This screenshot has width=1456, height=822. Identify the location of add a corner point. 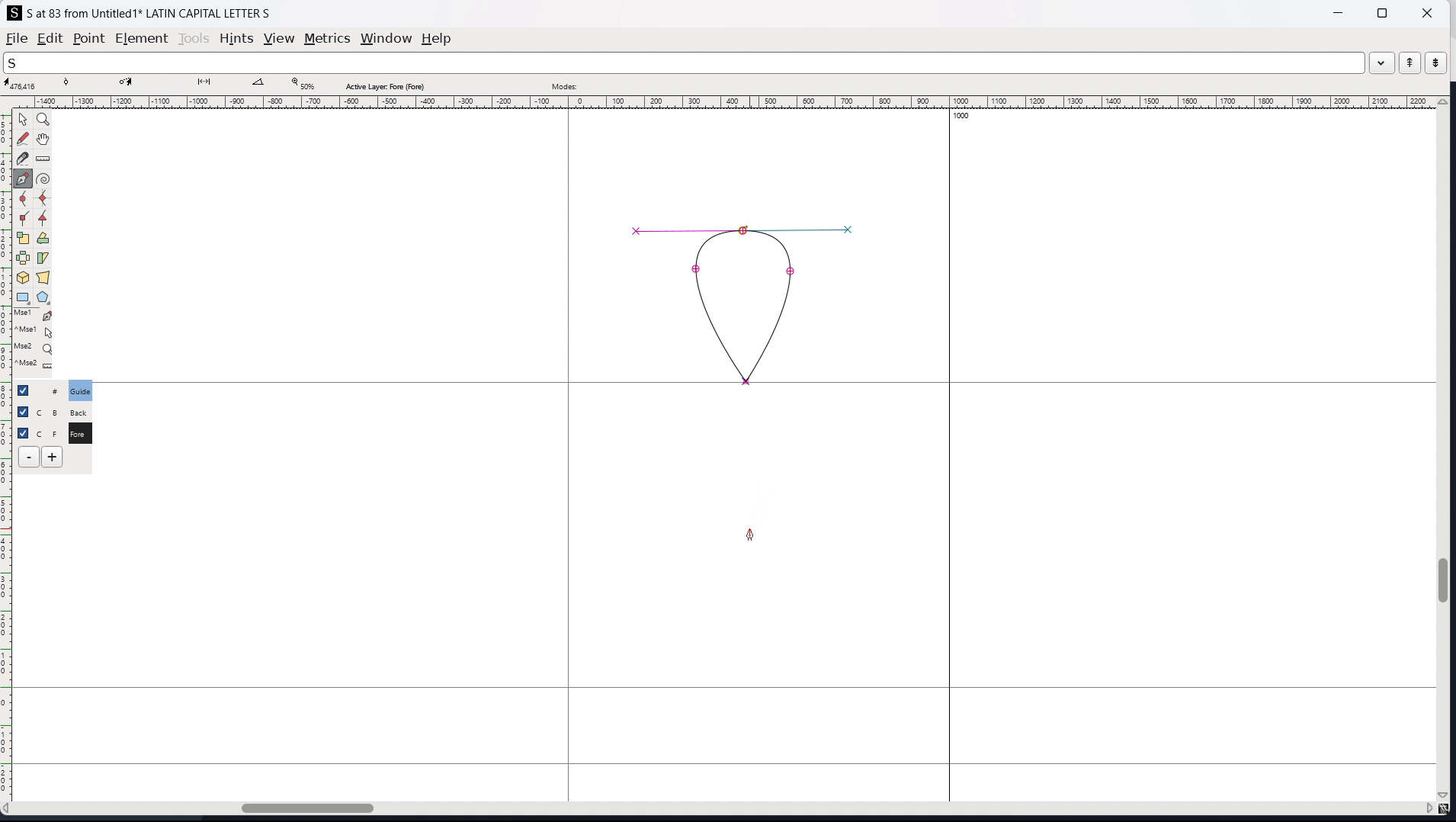
(24, 220).